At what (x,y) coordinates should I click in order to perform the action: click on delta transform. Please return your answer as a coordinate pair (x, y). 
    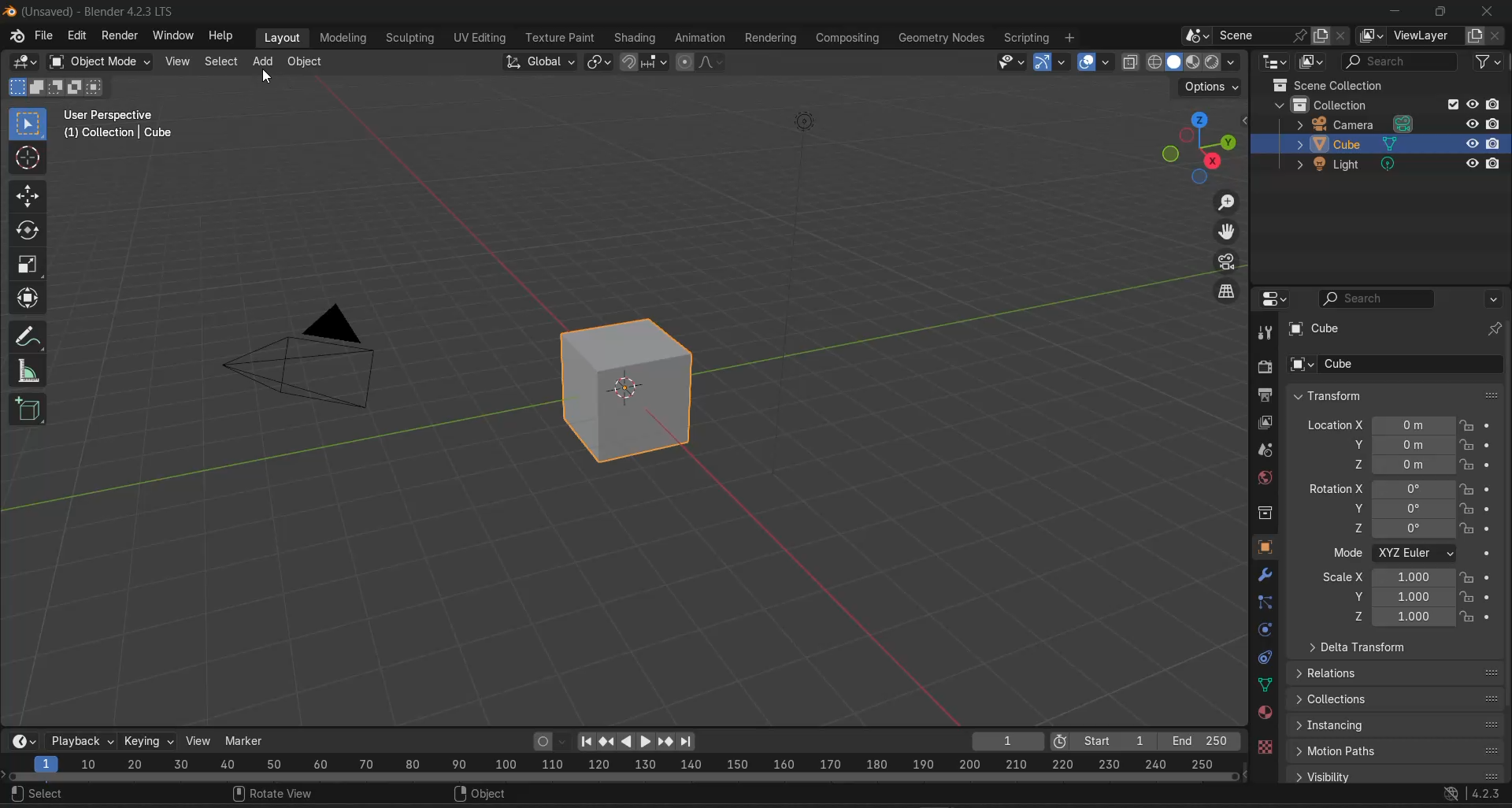
    Looking at the image, I should click on (1353, 647).